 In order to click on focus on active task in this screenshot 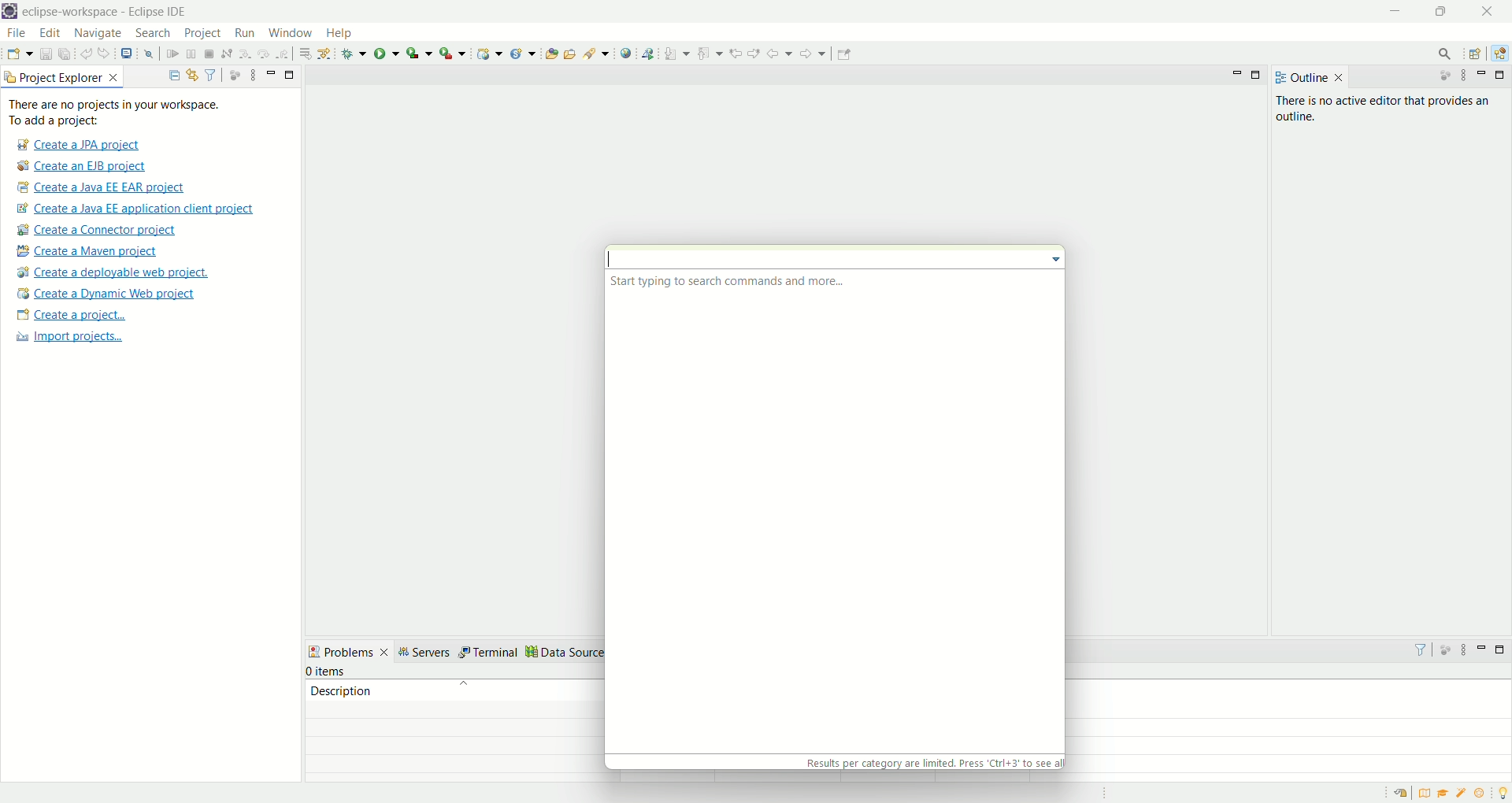, I will do `click(234, 73)`.